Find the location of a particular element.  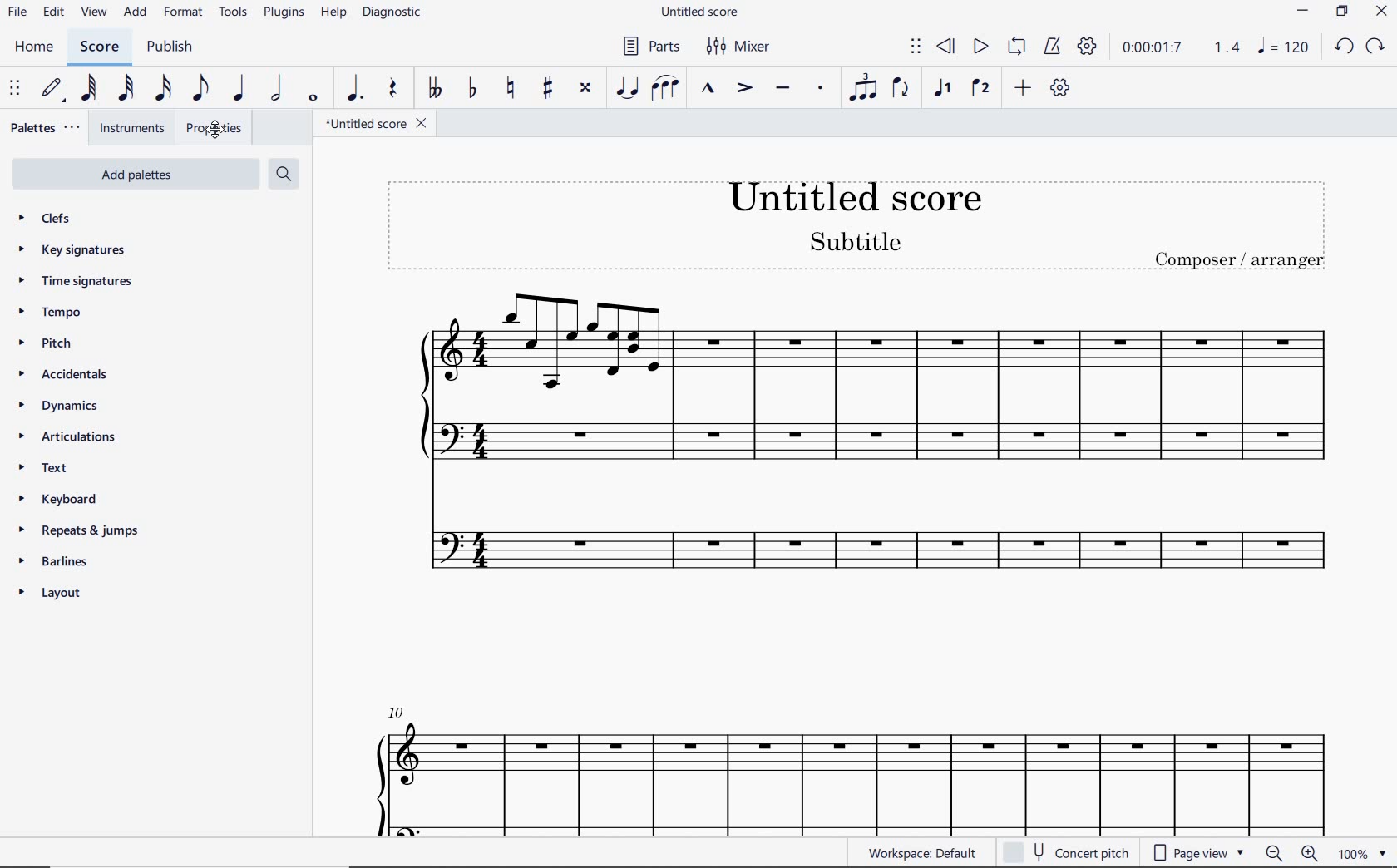

ADD is located at coordinates (1023, 86).